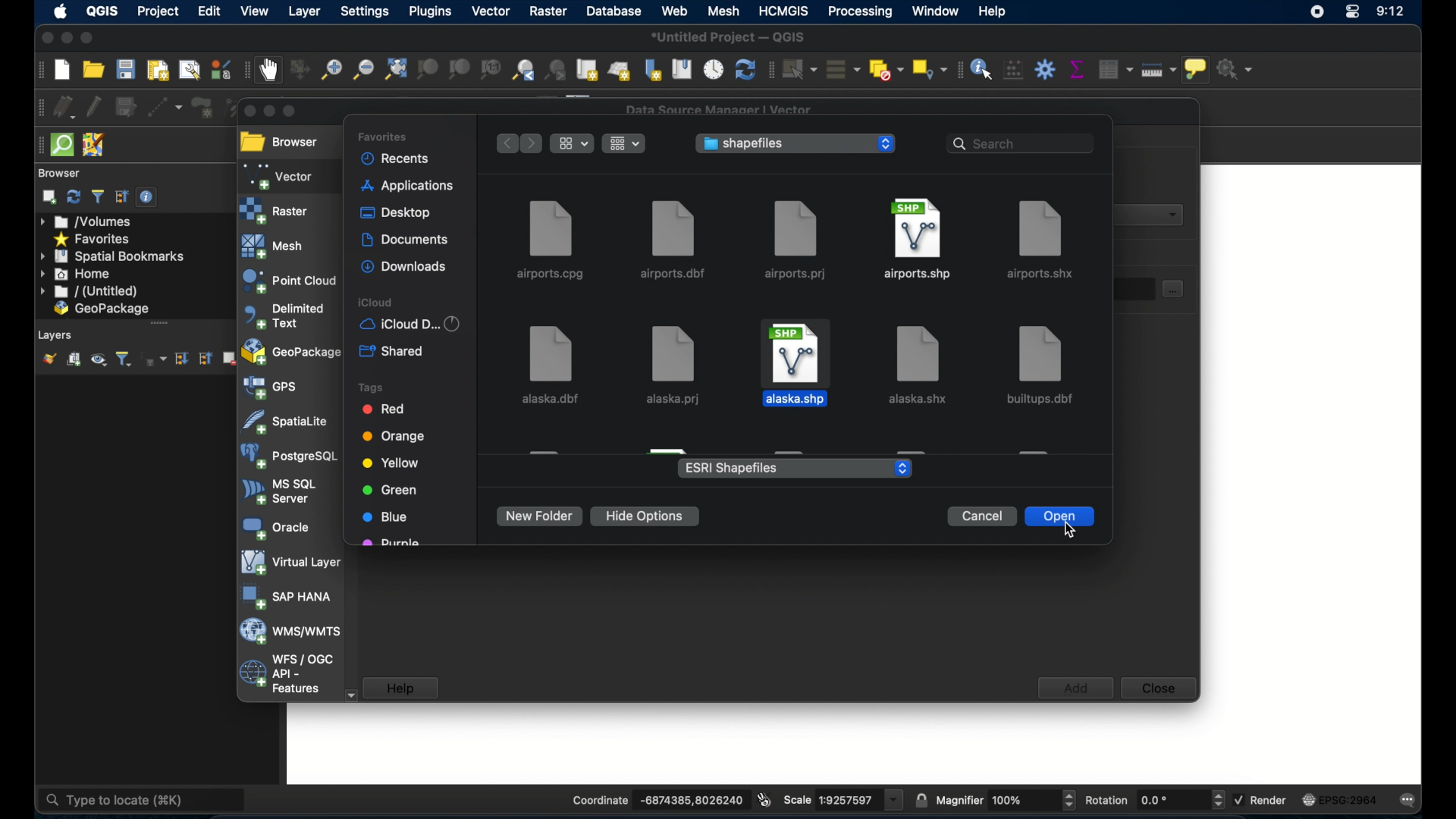  Describe the element at coordinates (1076, 67) in the screenshot. I see `show statistical summary` at that location.